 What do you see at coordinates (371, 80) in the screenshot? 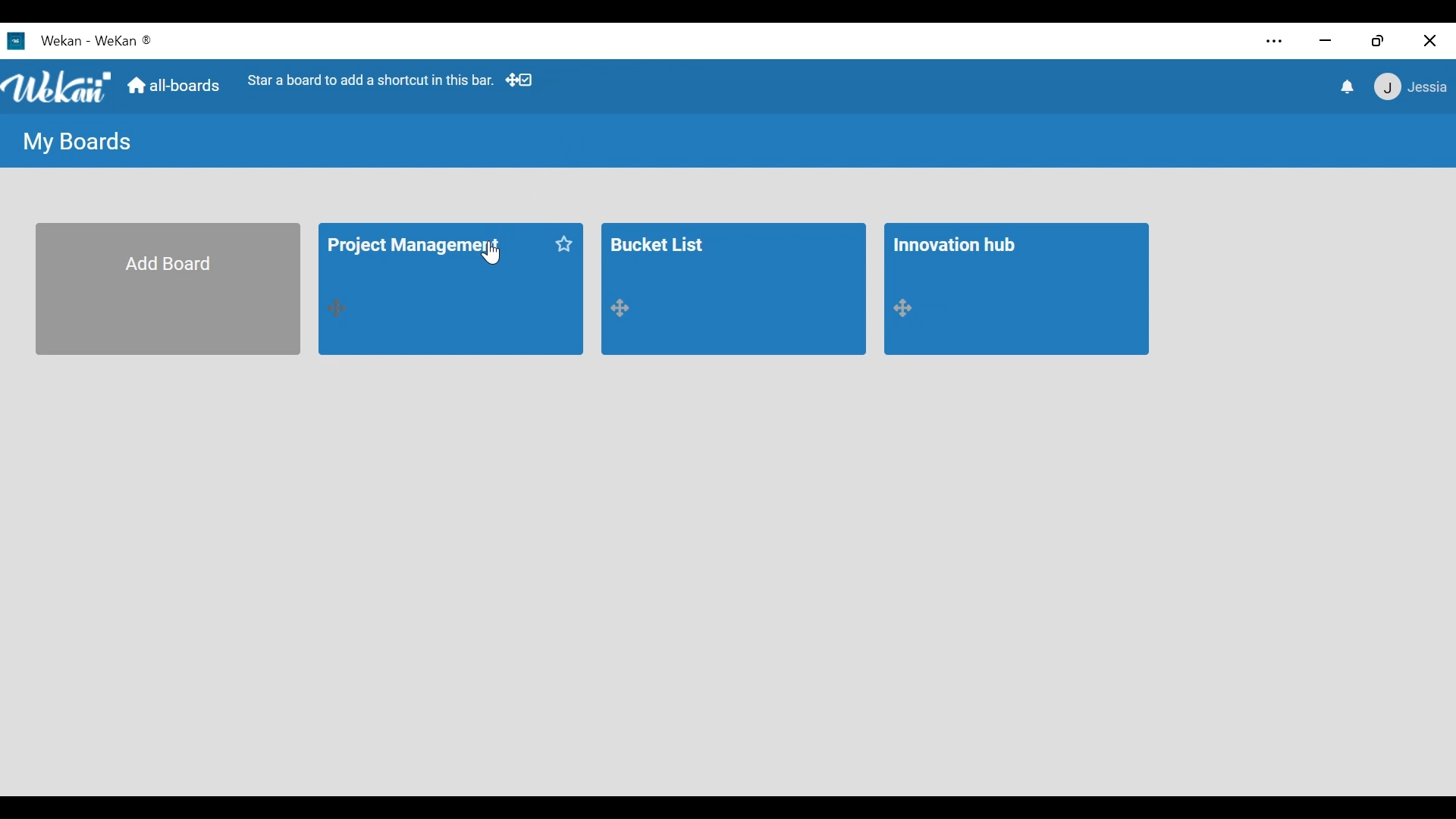
I see `Star a board to add a shortcut in this bar` at bounding box center [371, 80].